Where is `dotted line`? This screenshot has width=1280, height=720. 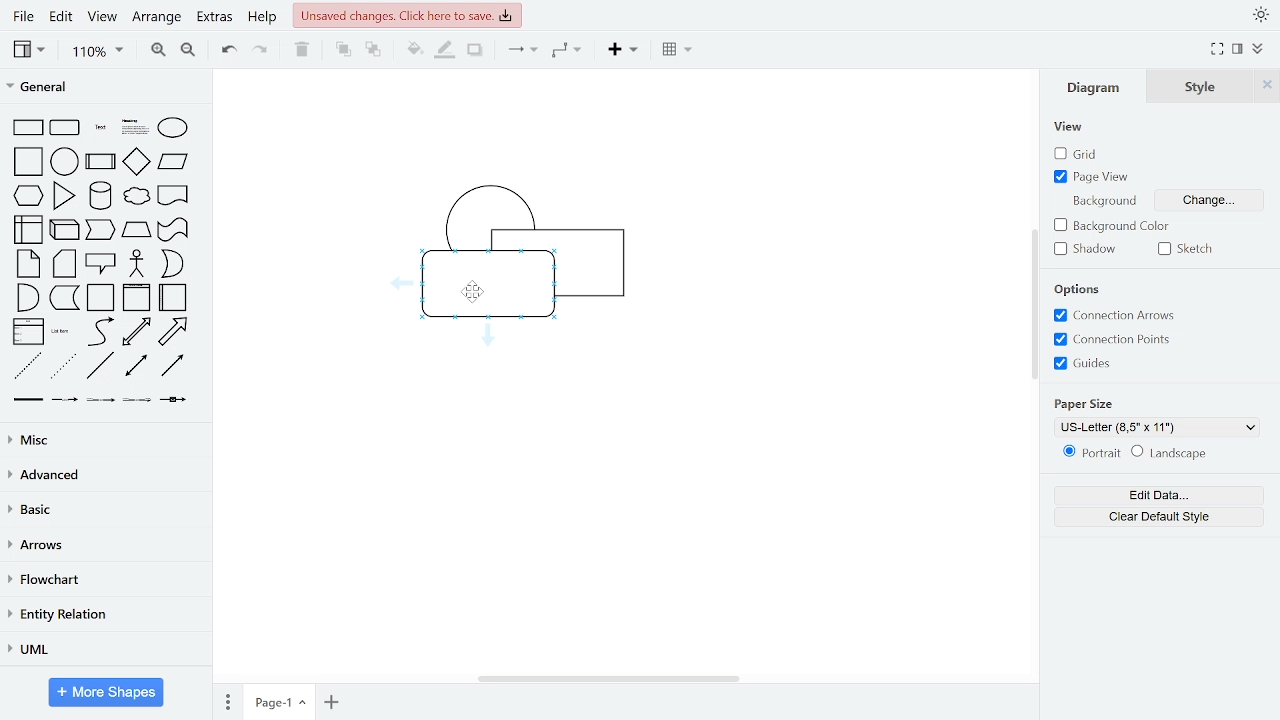 dotted line is located at coordinates (64, 366).